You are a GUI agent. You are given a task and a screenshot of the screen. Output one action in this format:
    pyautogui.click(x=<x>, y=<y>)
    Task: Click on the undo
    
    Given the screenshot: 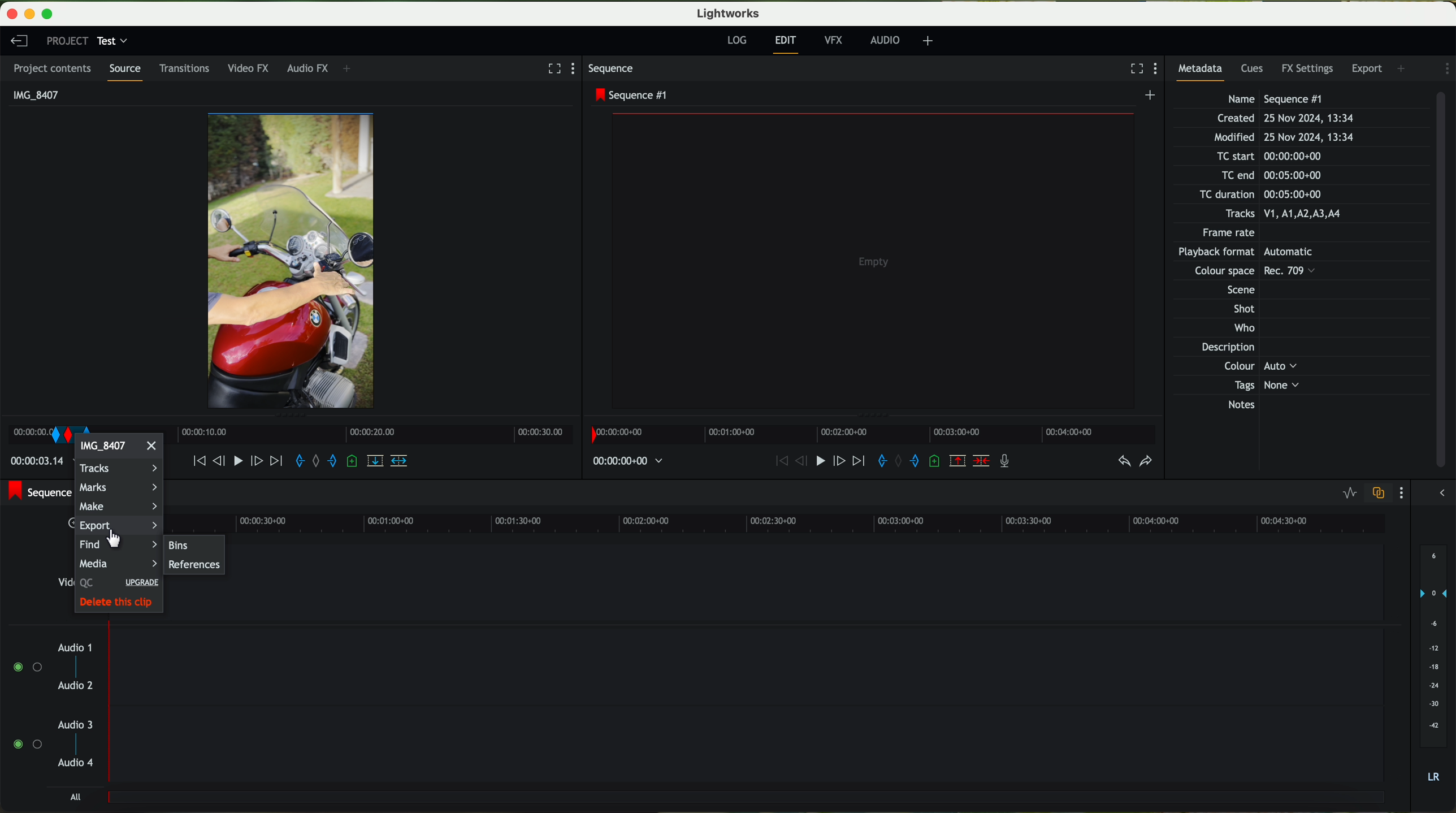 What is the action you would take?
    pyautogui.click(x=1123, y=461)
    